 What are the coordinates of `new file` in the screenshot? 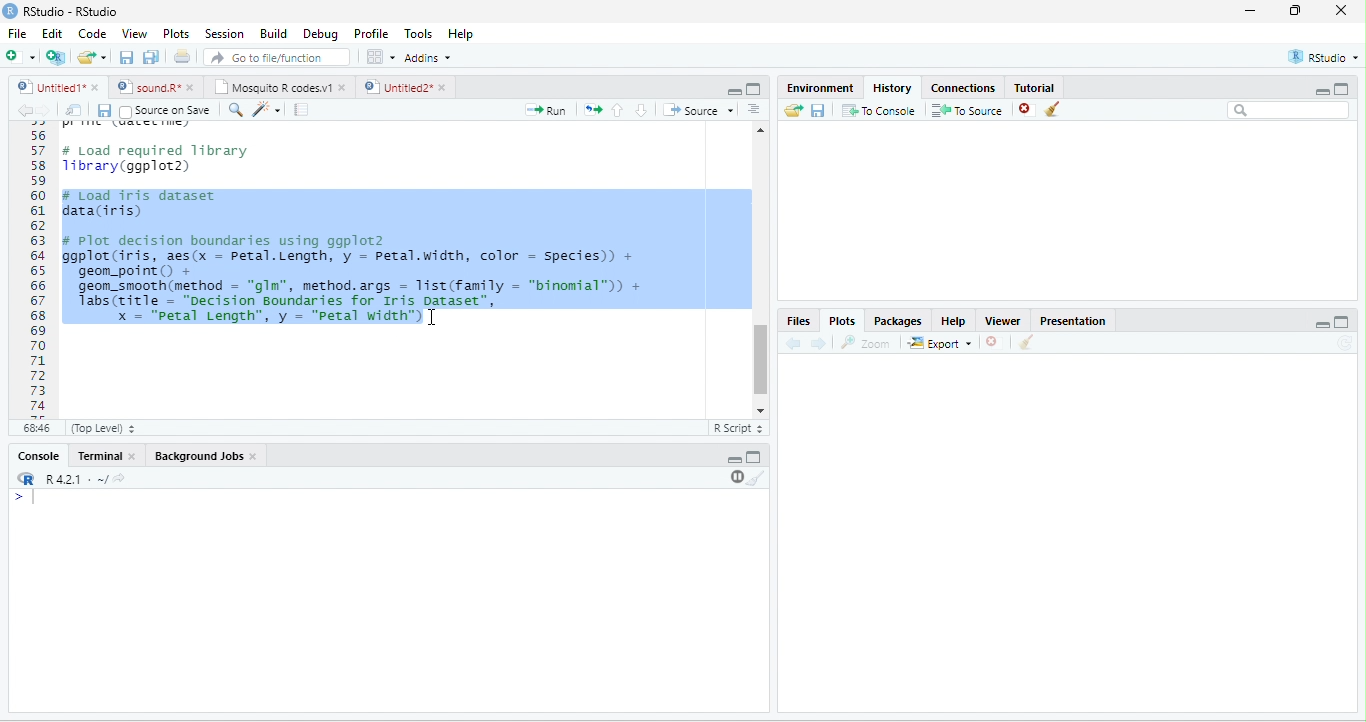 It's located at (20, 56).